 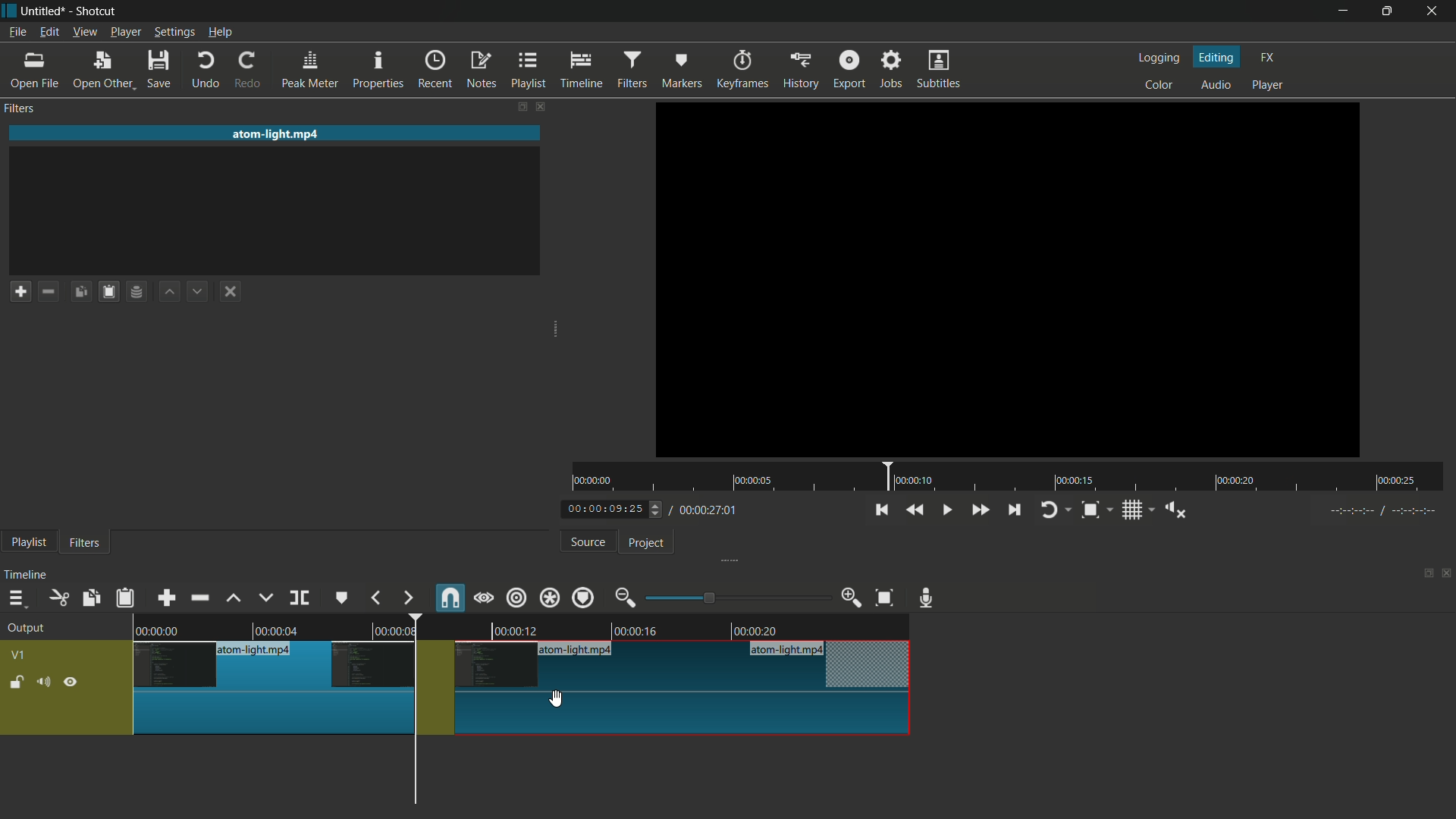 What do you see at coordinates (174, 33) in the screenshot?
I see `settings menu` at bounding box center [174, 33].